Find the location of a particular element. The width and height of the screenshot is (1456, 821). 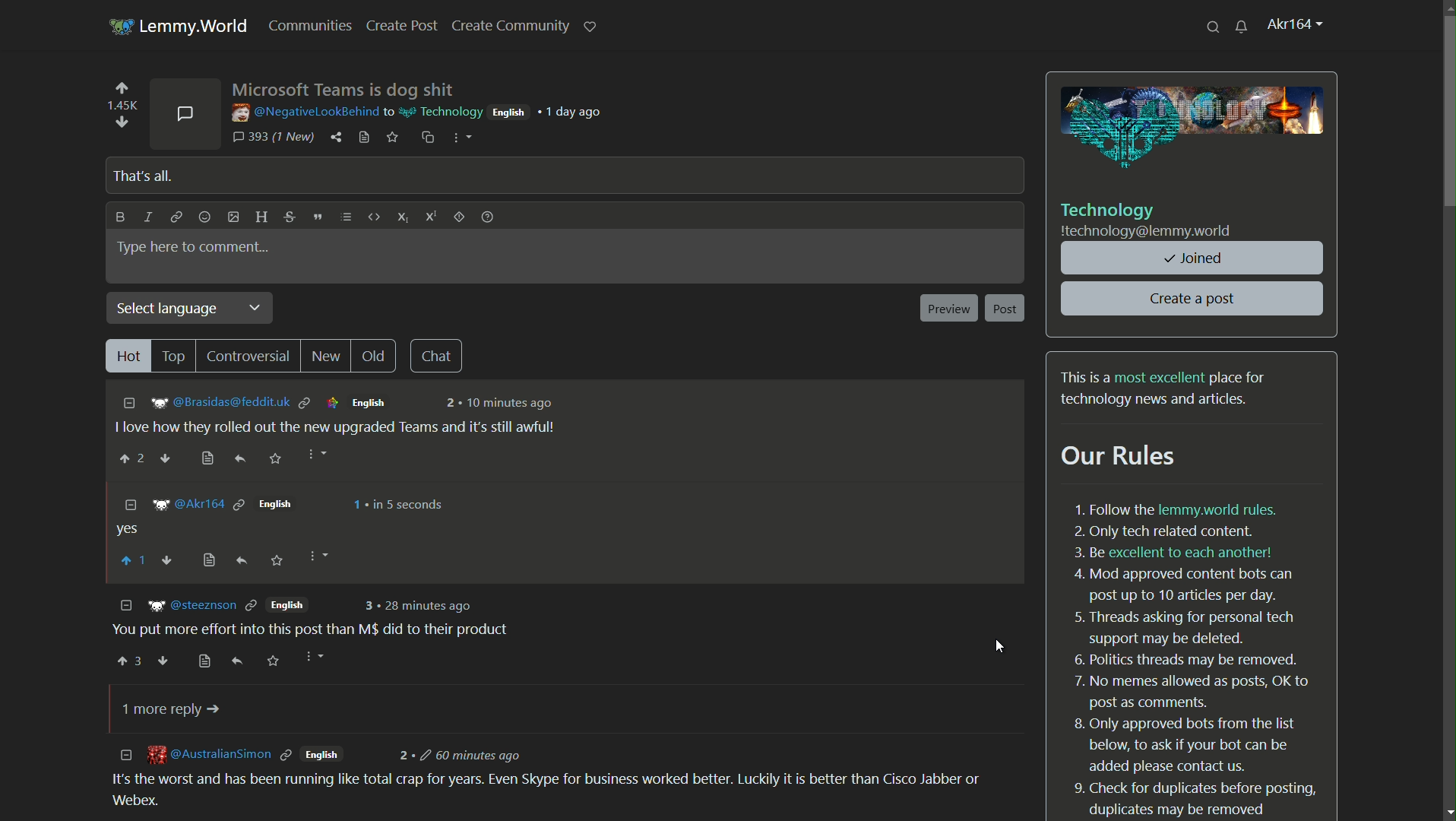

preview is located at coordinates (948, 309).